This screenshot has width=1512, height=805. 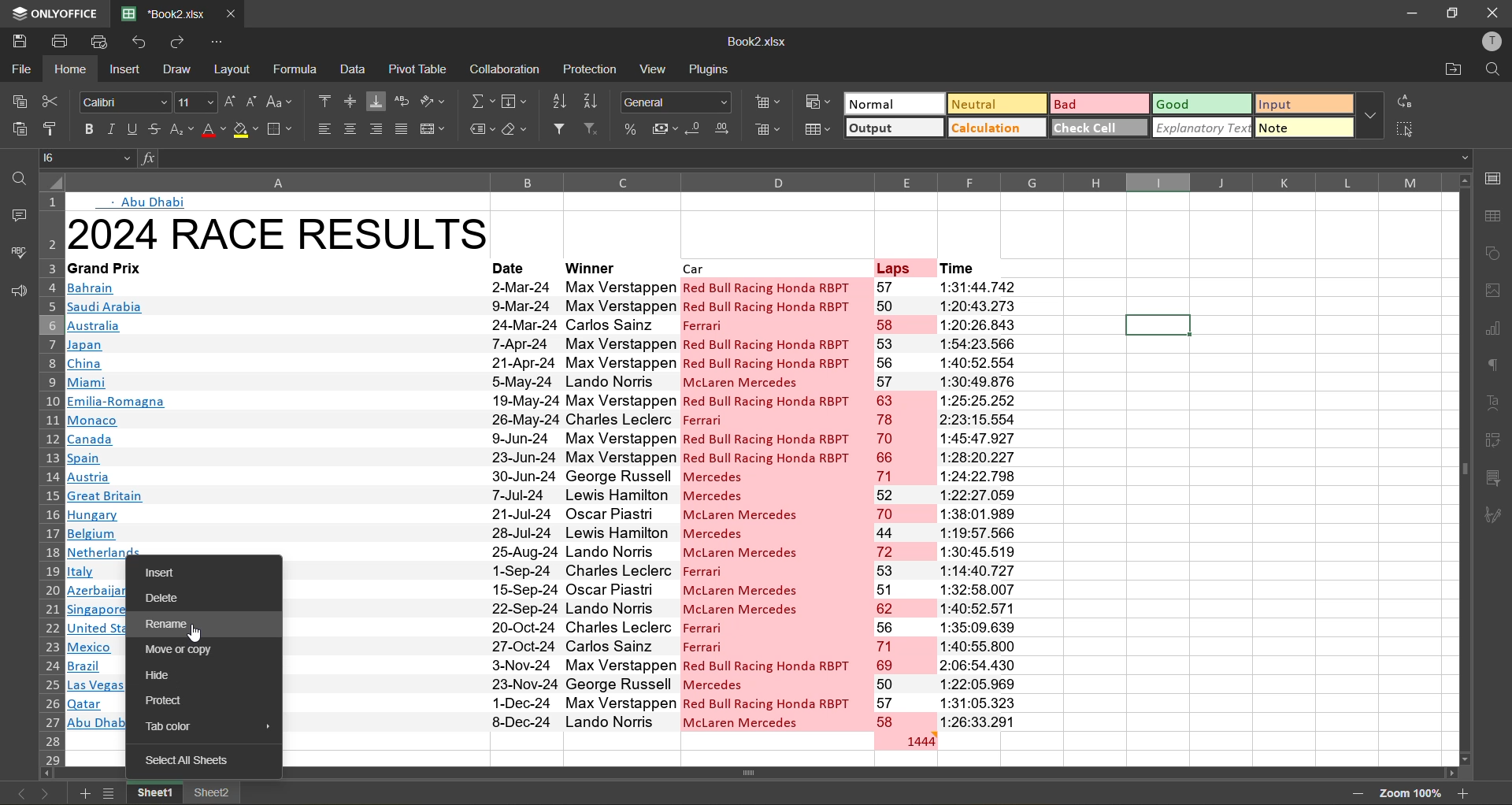 I want to click on pivot table, so click(x=1495, y=443).